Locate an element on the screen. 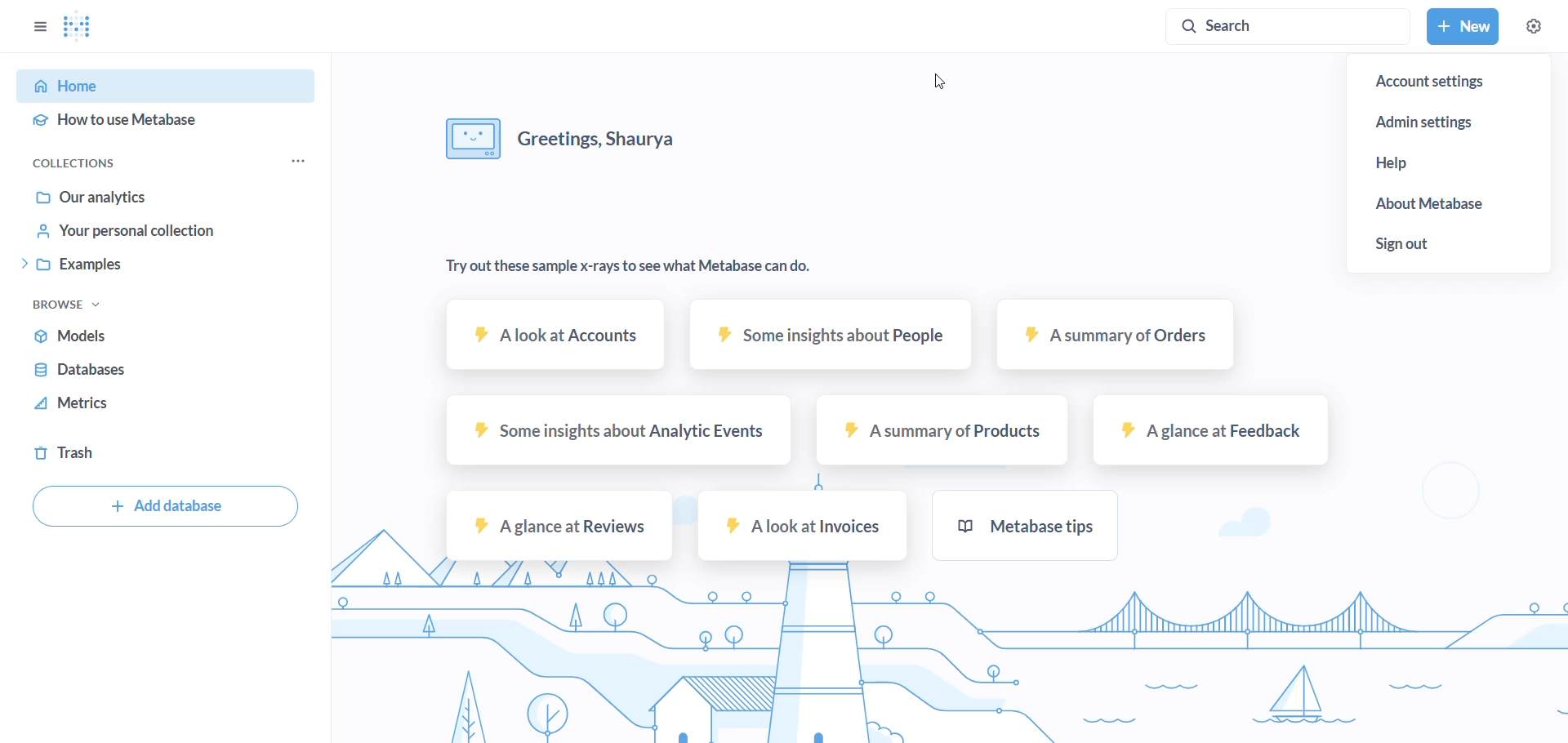 The height and width of the screenshot is (743, 1568). metabase tips sample is located at coordinates (1031, 523).